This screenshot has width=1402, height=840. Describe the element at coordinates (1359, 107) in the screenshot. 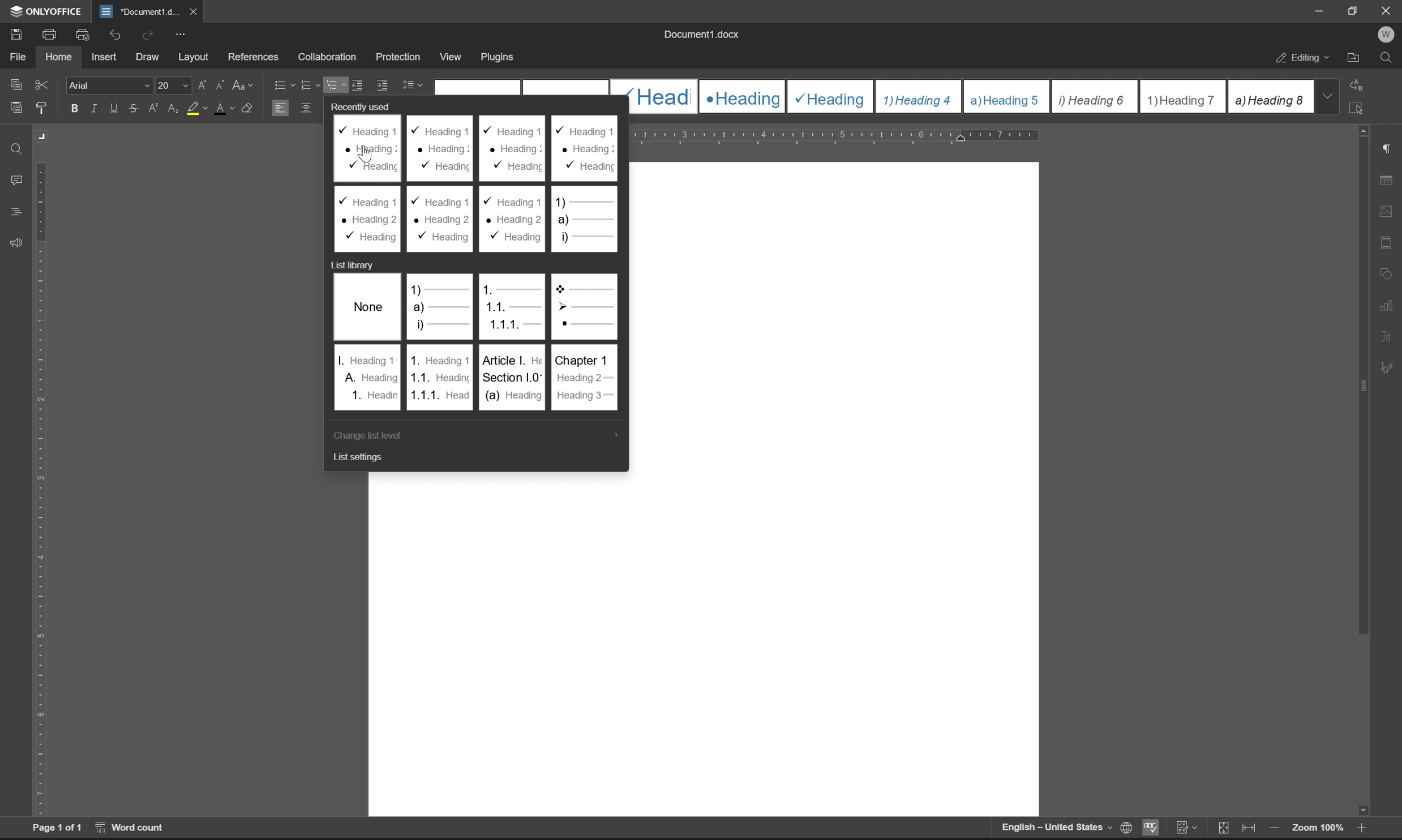

I see `select all` at that location.